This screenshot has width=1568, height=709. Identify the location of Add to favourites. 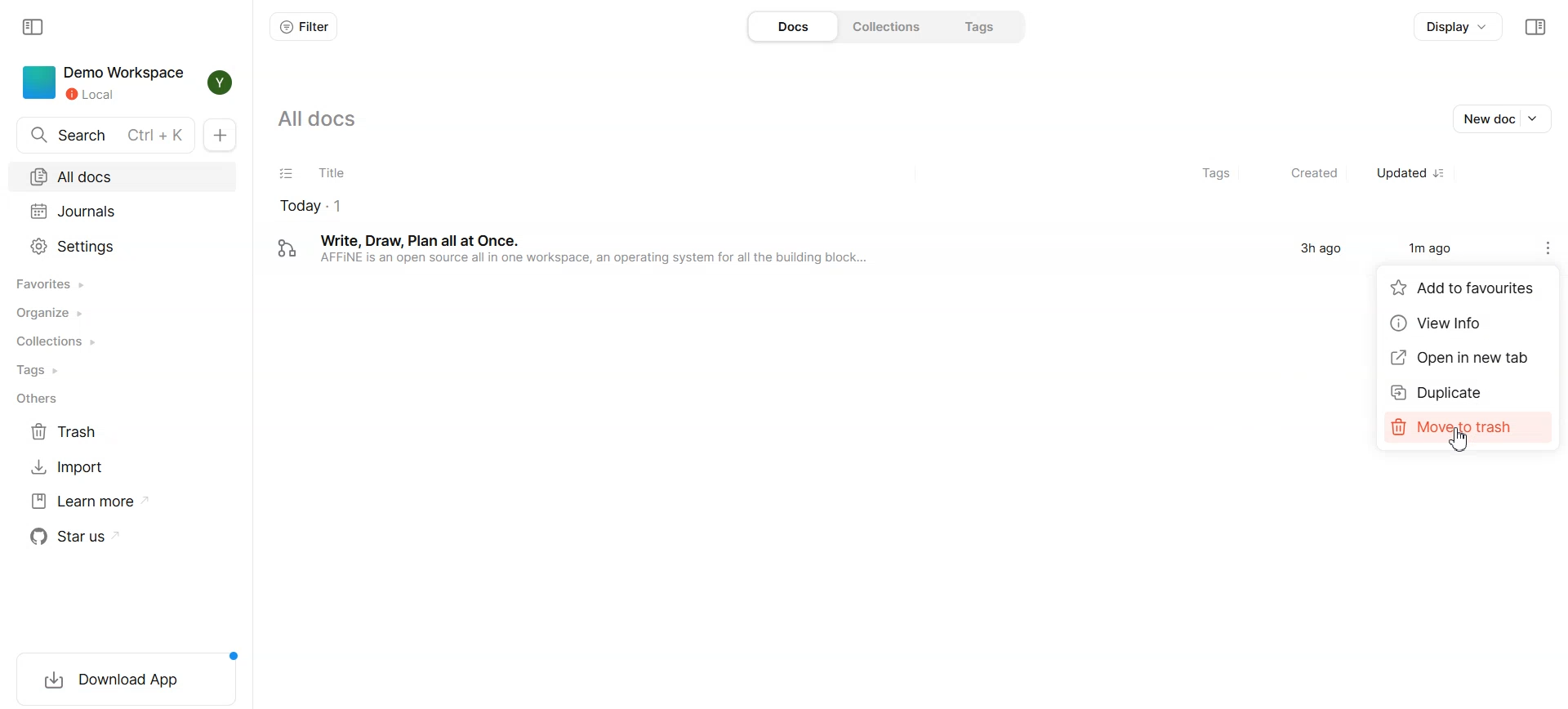
(1468, 287).